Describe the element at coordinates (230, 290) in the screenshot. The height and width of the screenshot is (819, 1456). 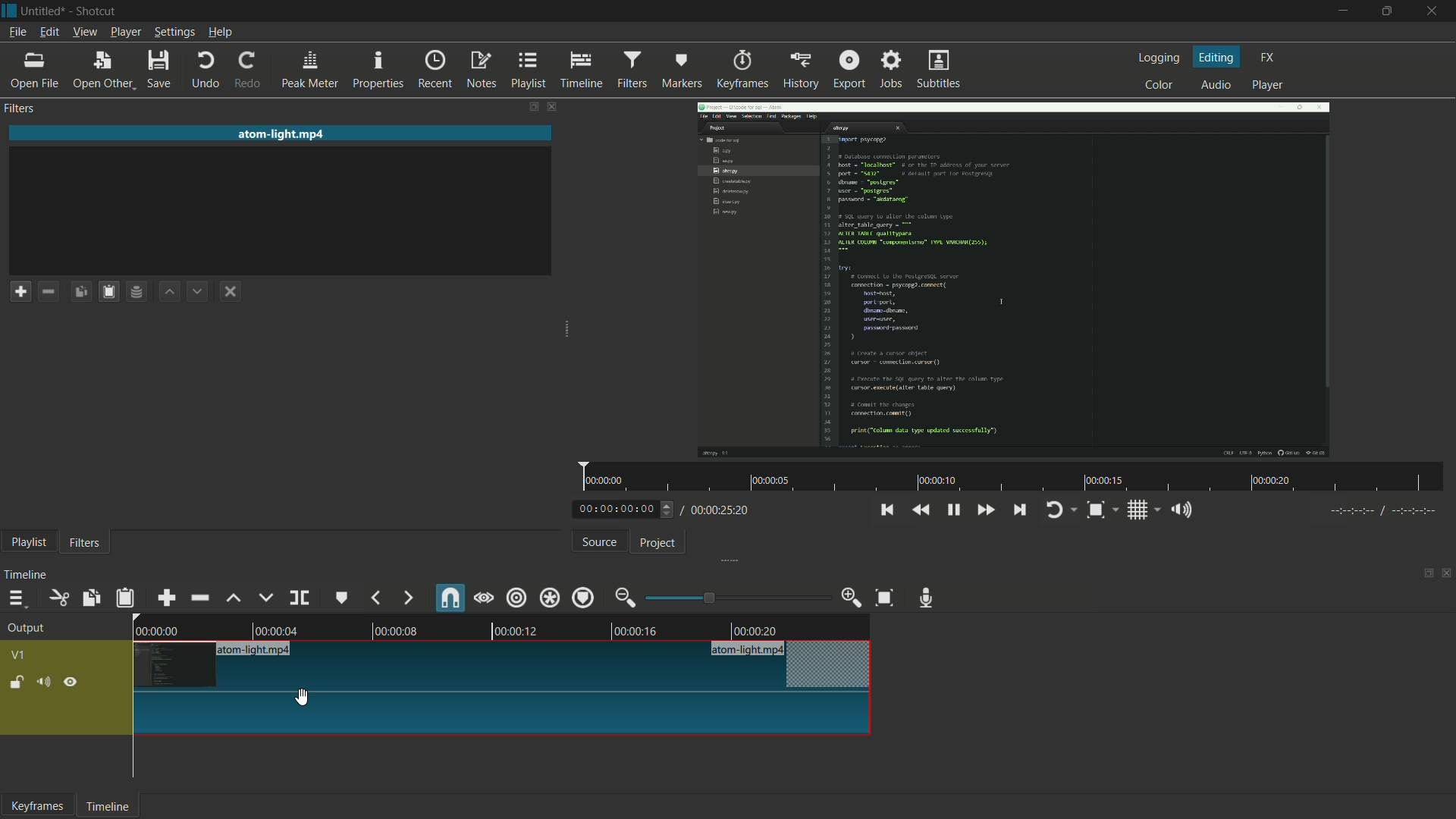
I see `deselect the filter` at that location.